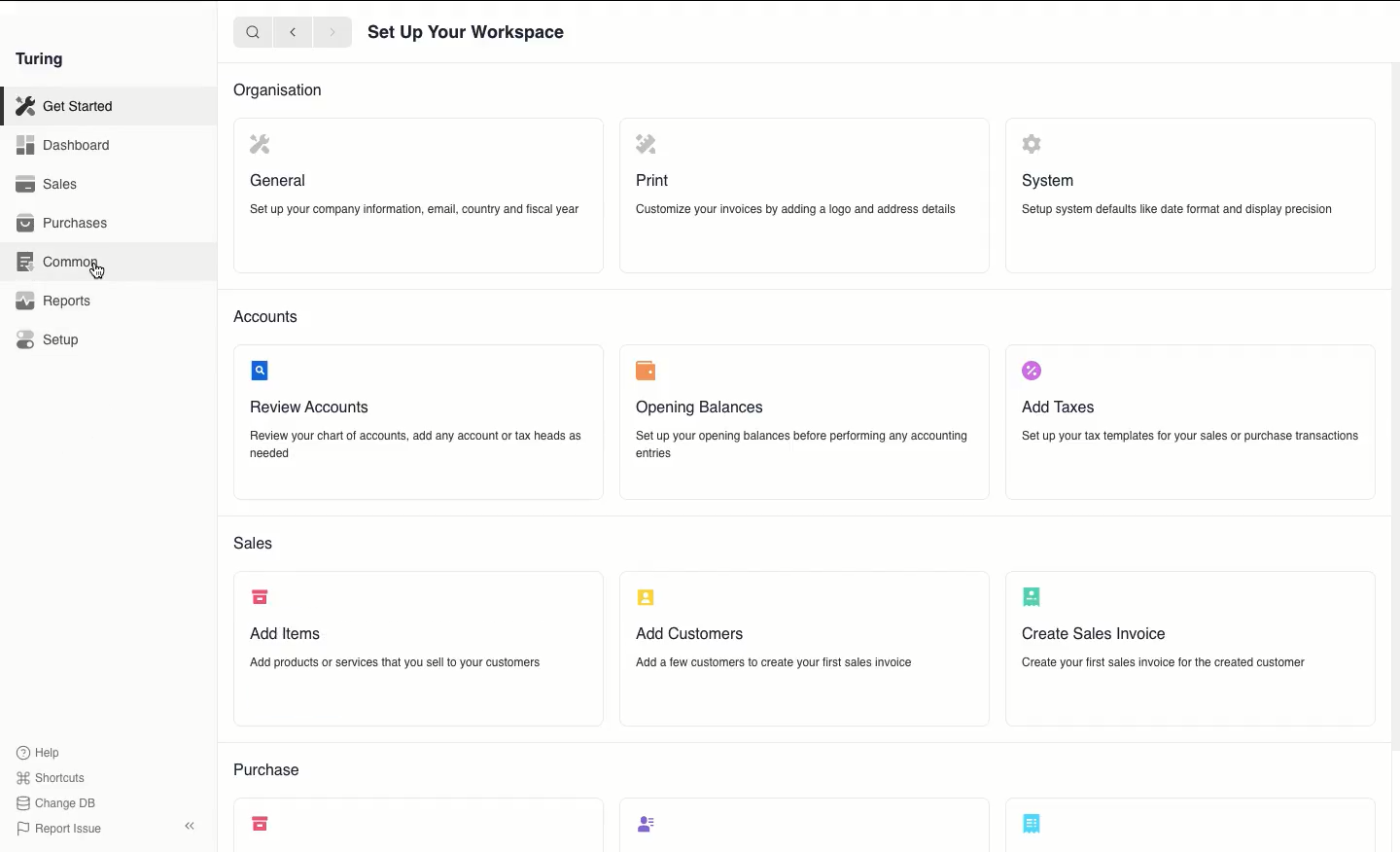 This screenshot has width=1400, height=852. Describe the element at coordinates (66, 107) in the screenshot. I see `Get Started` at that location.